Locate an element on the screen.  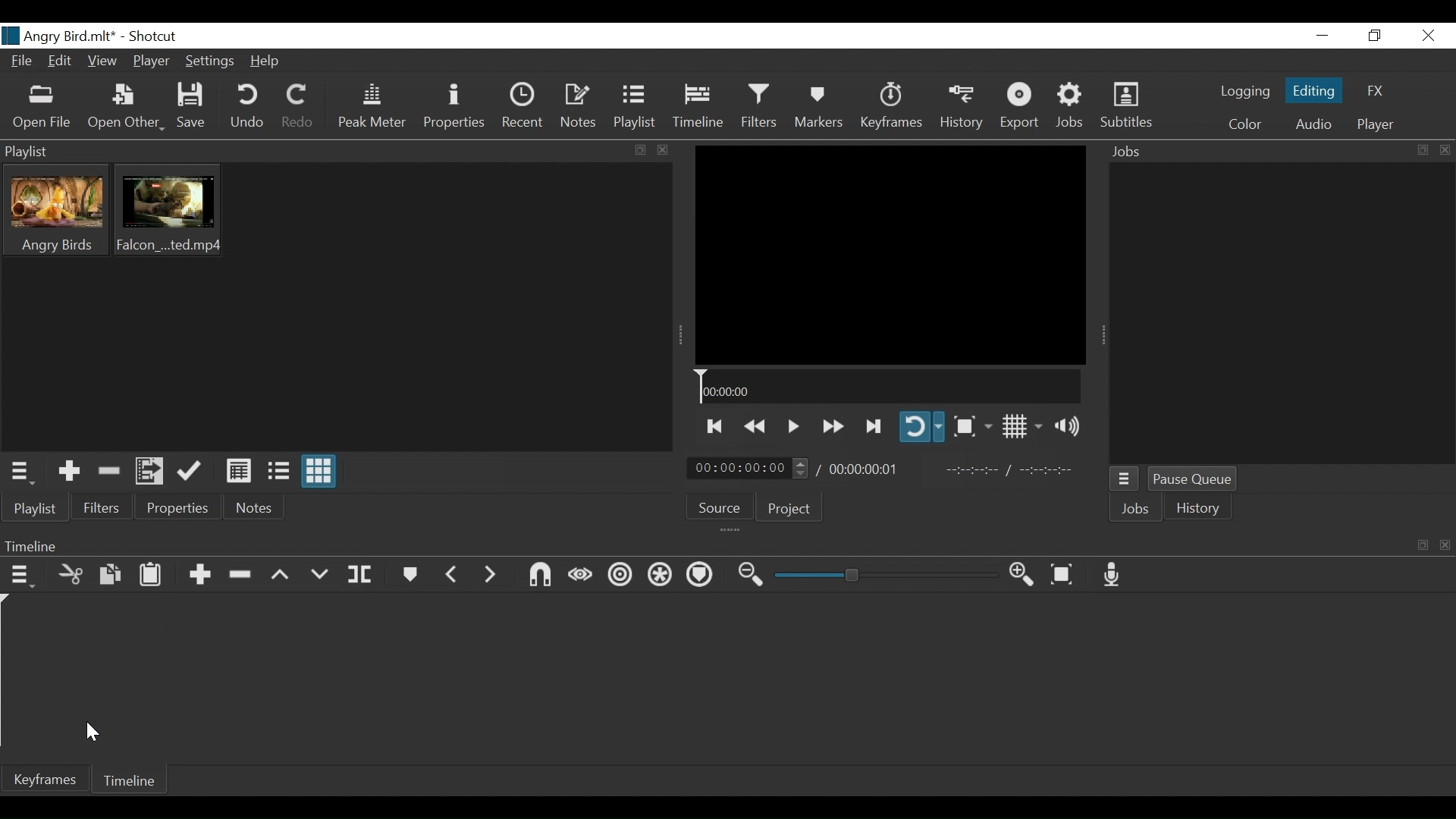
Peak is located at coordinates (373, 106).